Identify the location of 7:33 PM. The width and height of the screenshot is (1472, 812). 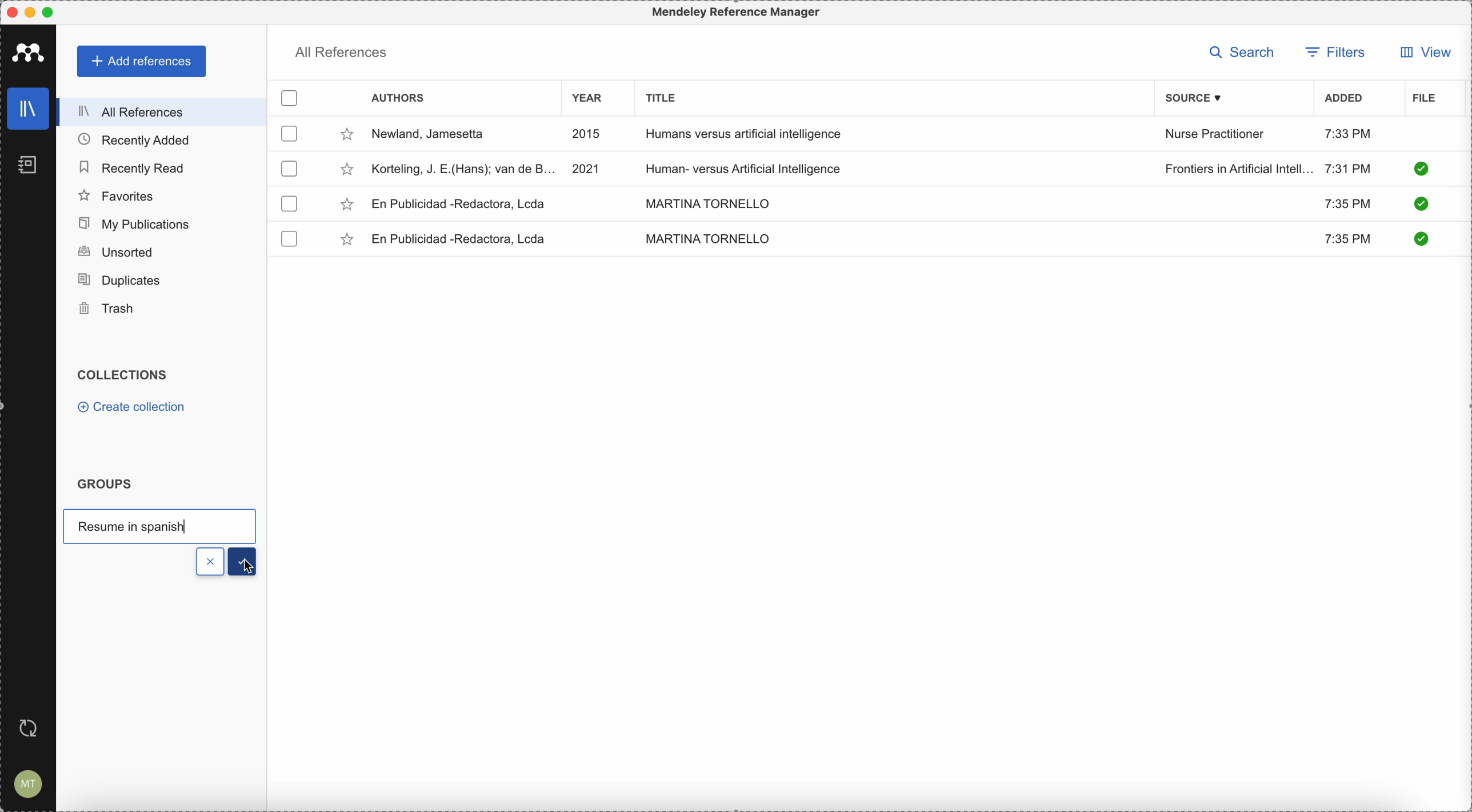
(1348, 133).